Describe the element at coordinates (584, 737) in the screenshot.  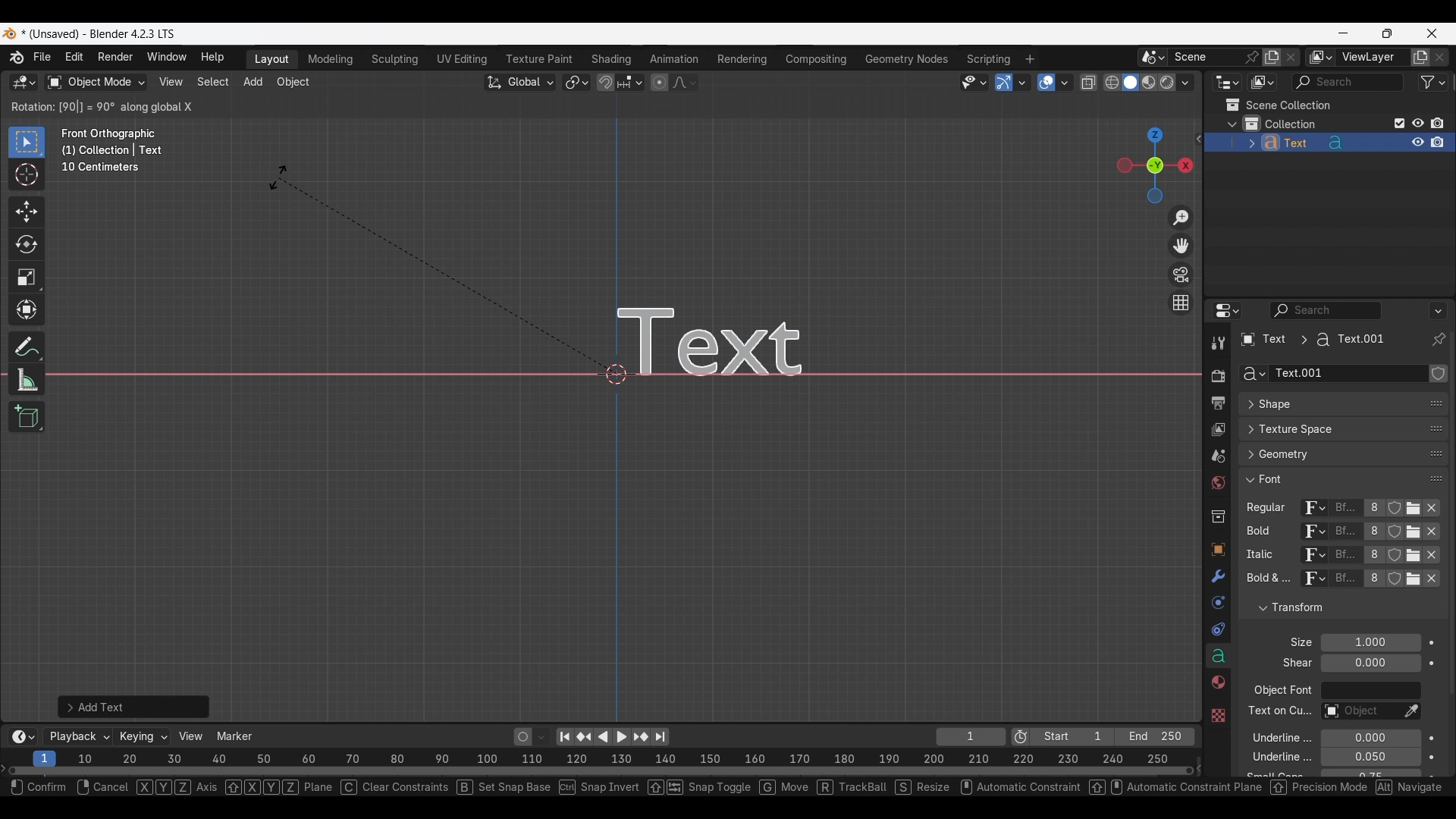
I see `Jump to key frame` at that location.